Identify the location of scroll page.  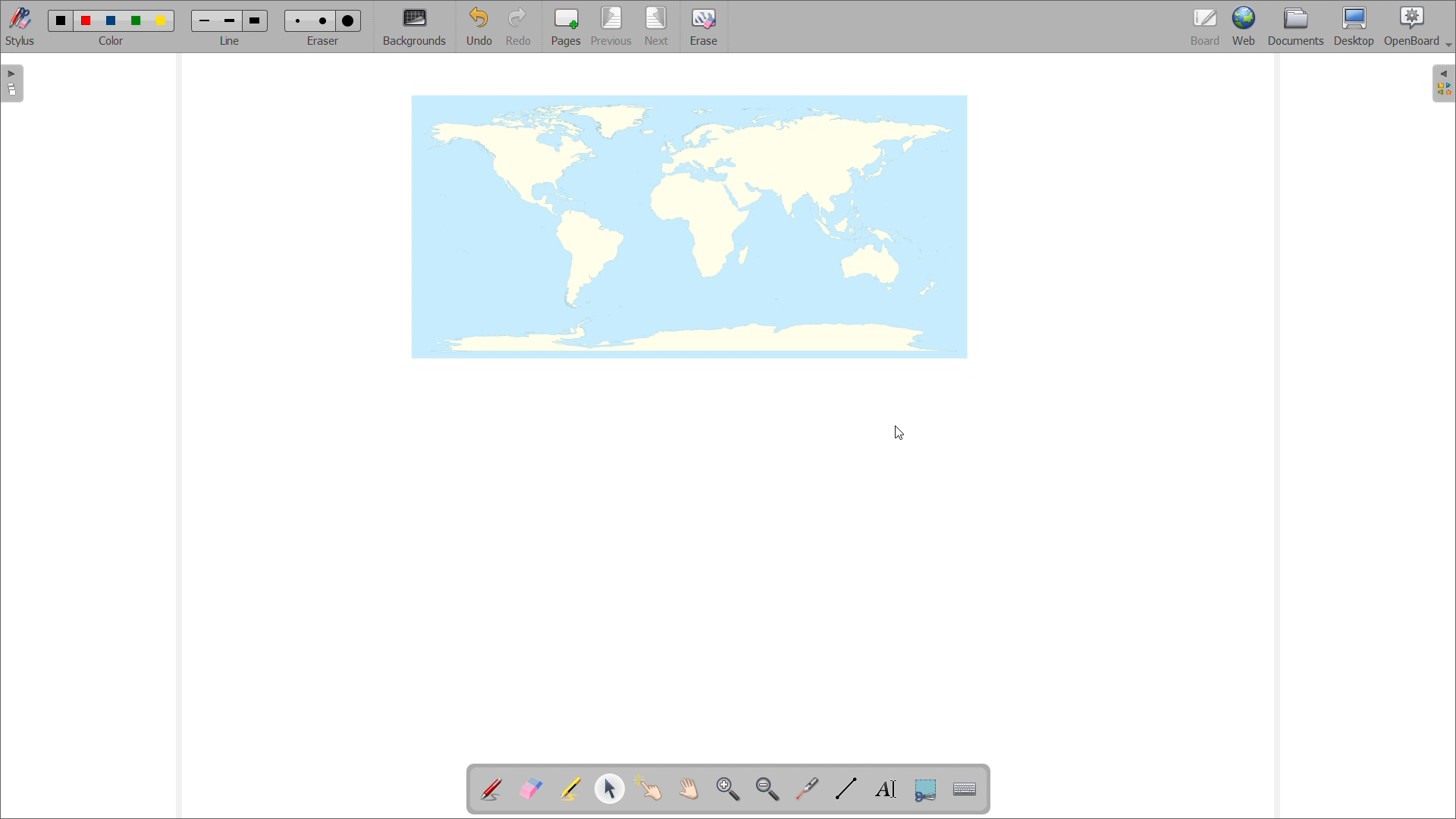
(689, 788).